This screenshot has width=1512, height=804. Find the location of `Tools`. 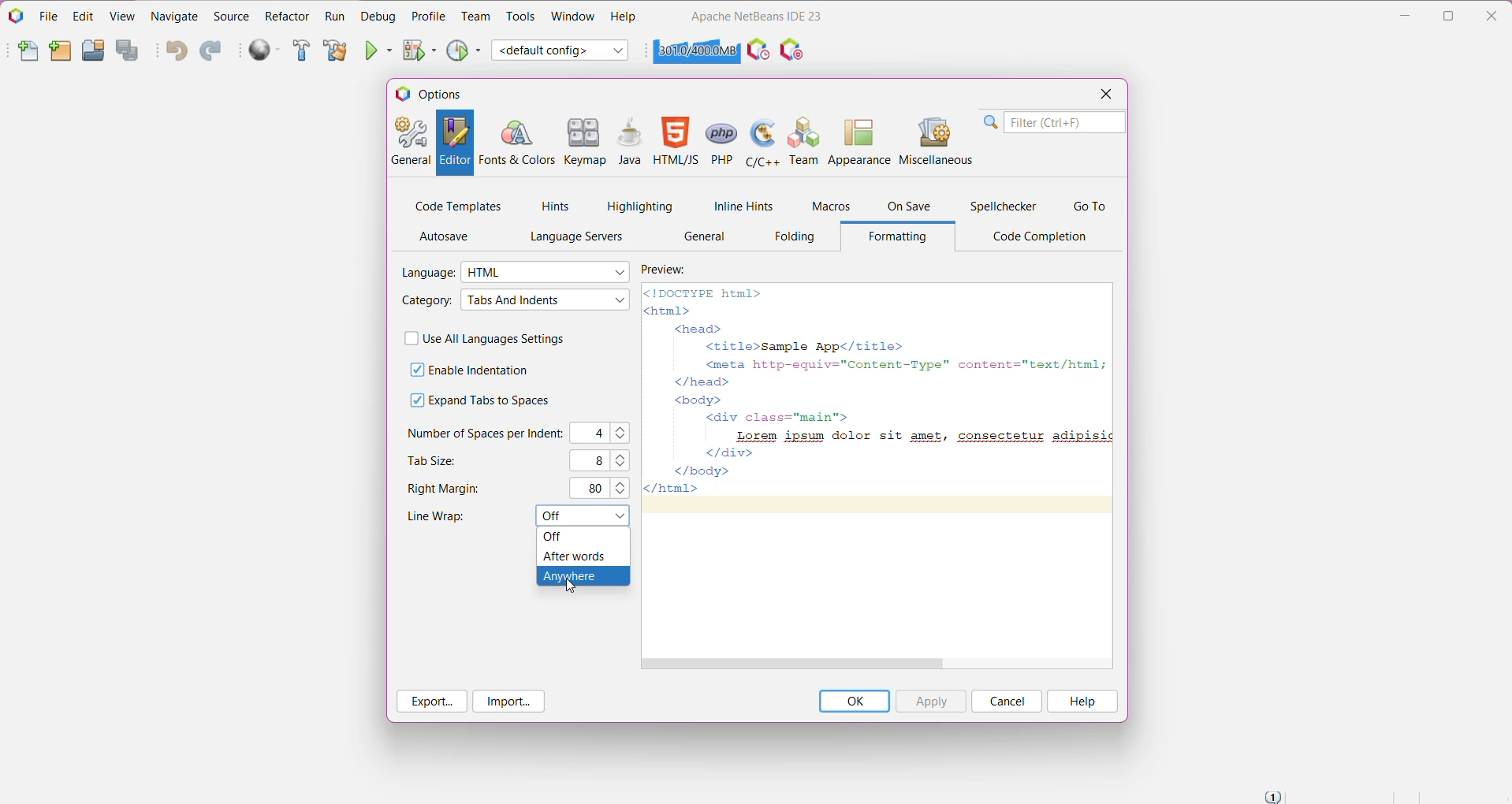

Tools is located at coordinates (518, 17).